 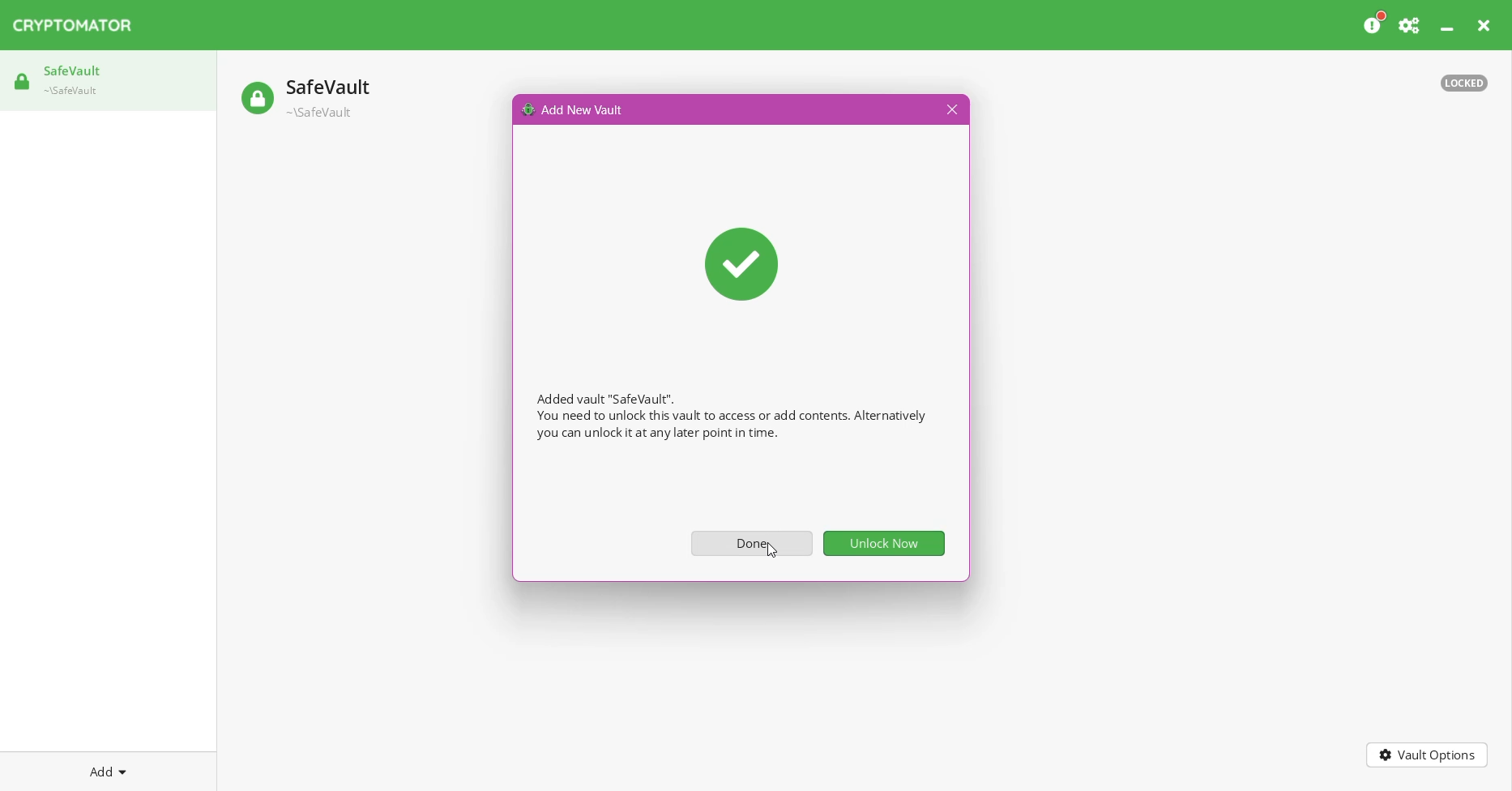 What do you see at coordinates (753, 542) in the screenshot?
I see `Done` at bounding box center [753, 542].